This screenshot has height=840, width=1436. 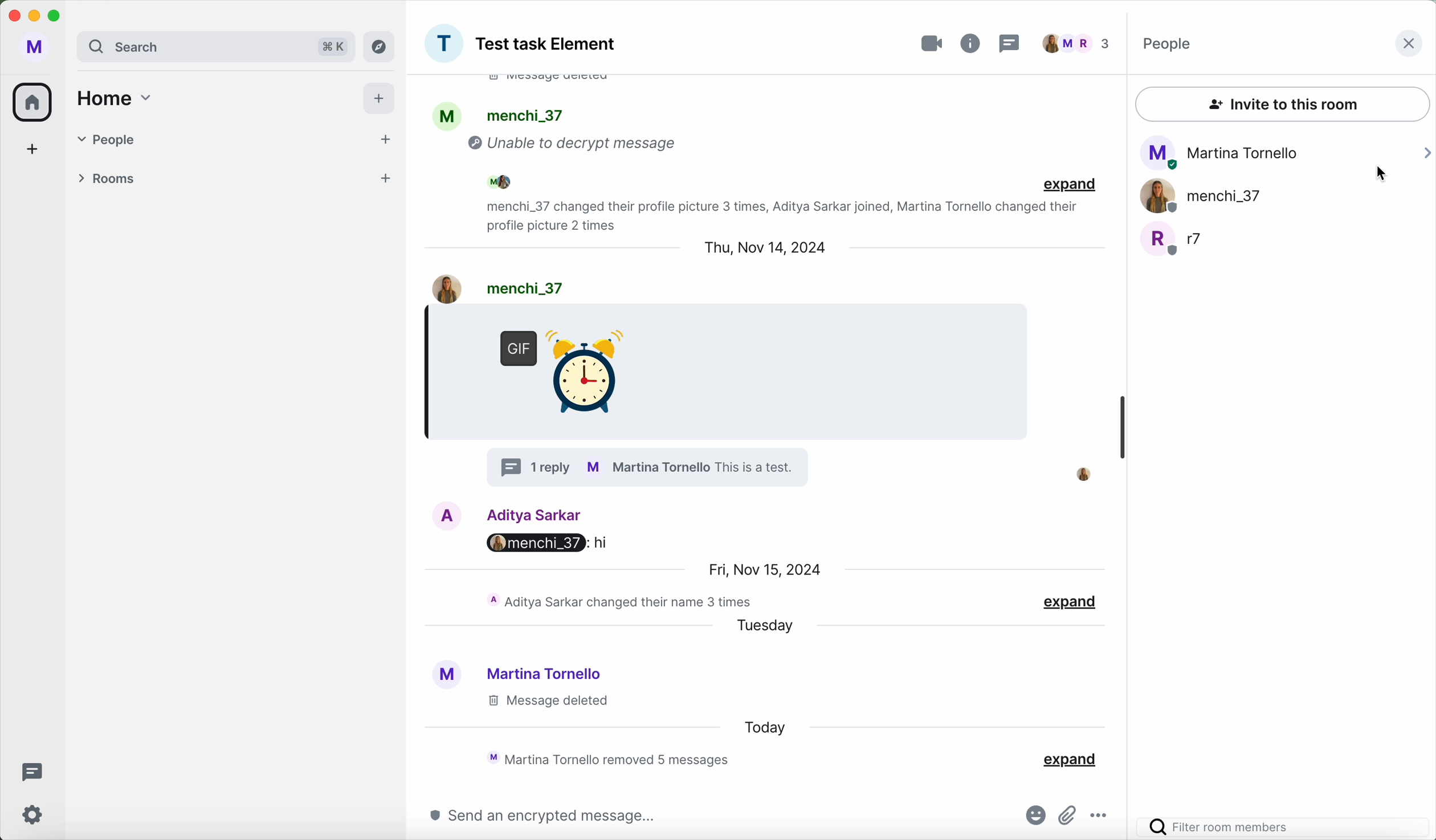 What do you see at coordinates (13, 15) in the screenshot?
I see `close program` at bounding box center [13, 15].